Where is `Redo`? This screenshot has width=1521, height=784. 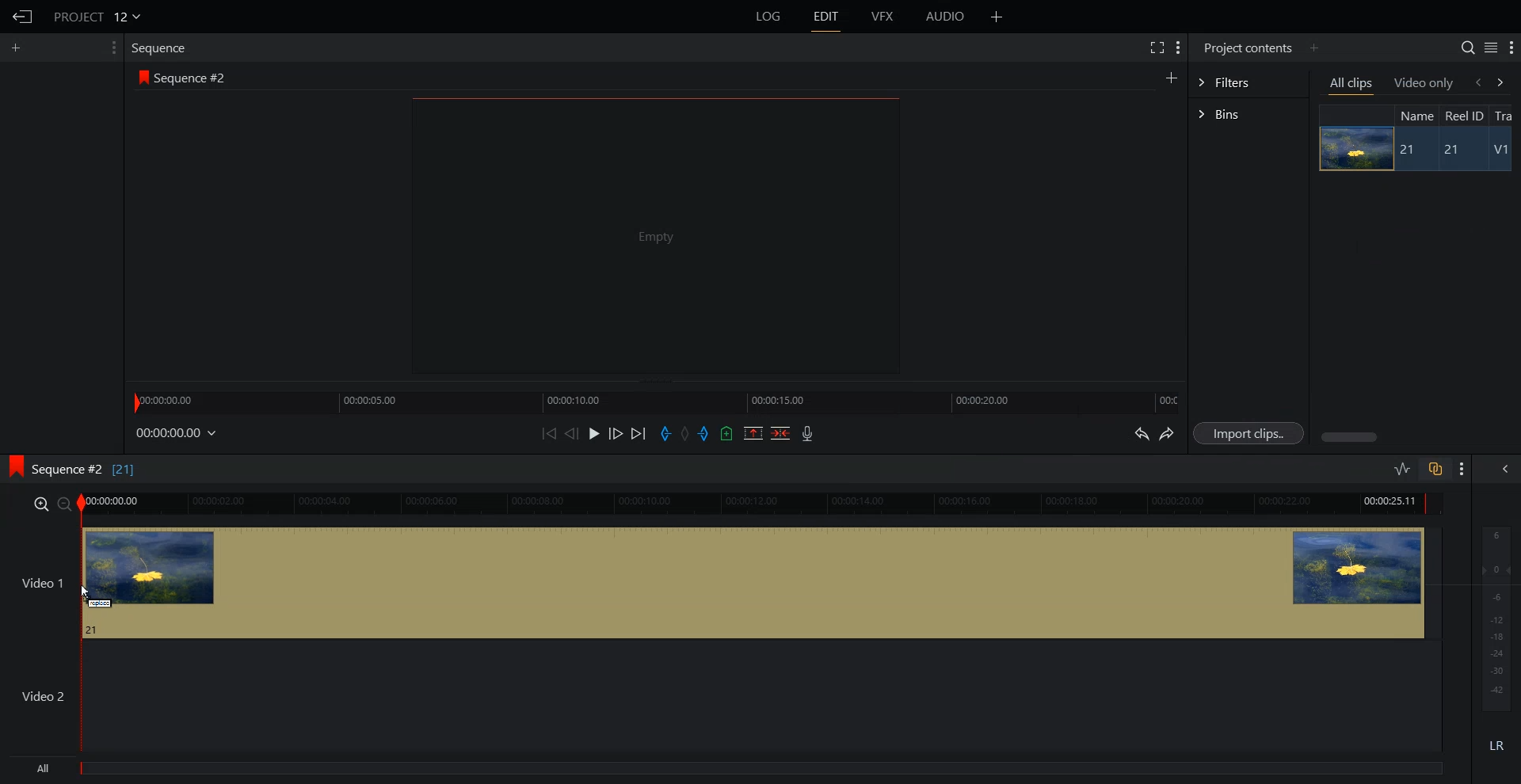 Redo is located at coordinates (1167, 433).